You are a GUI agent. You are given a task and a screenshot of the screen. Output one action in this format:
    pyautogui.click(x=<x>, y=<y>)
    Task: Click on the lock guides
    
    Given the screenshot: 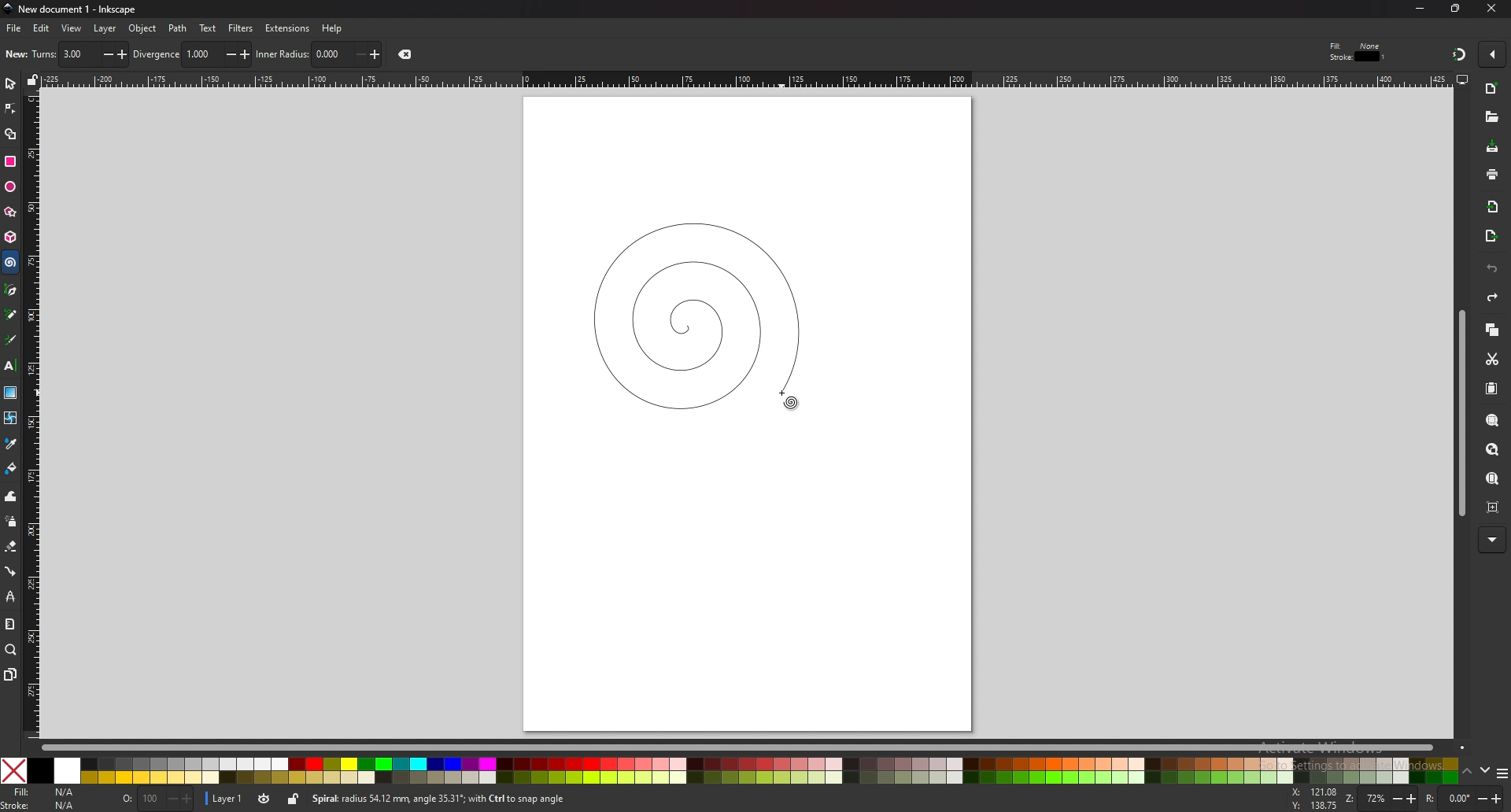 What is the action you would take?
    pyautogui.click(x=33, y=81)
    